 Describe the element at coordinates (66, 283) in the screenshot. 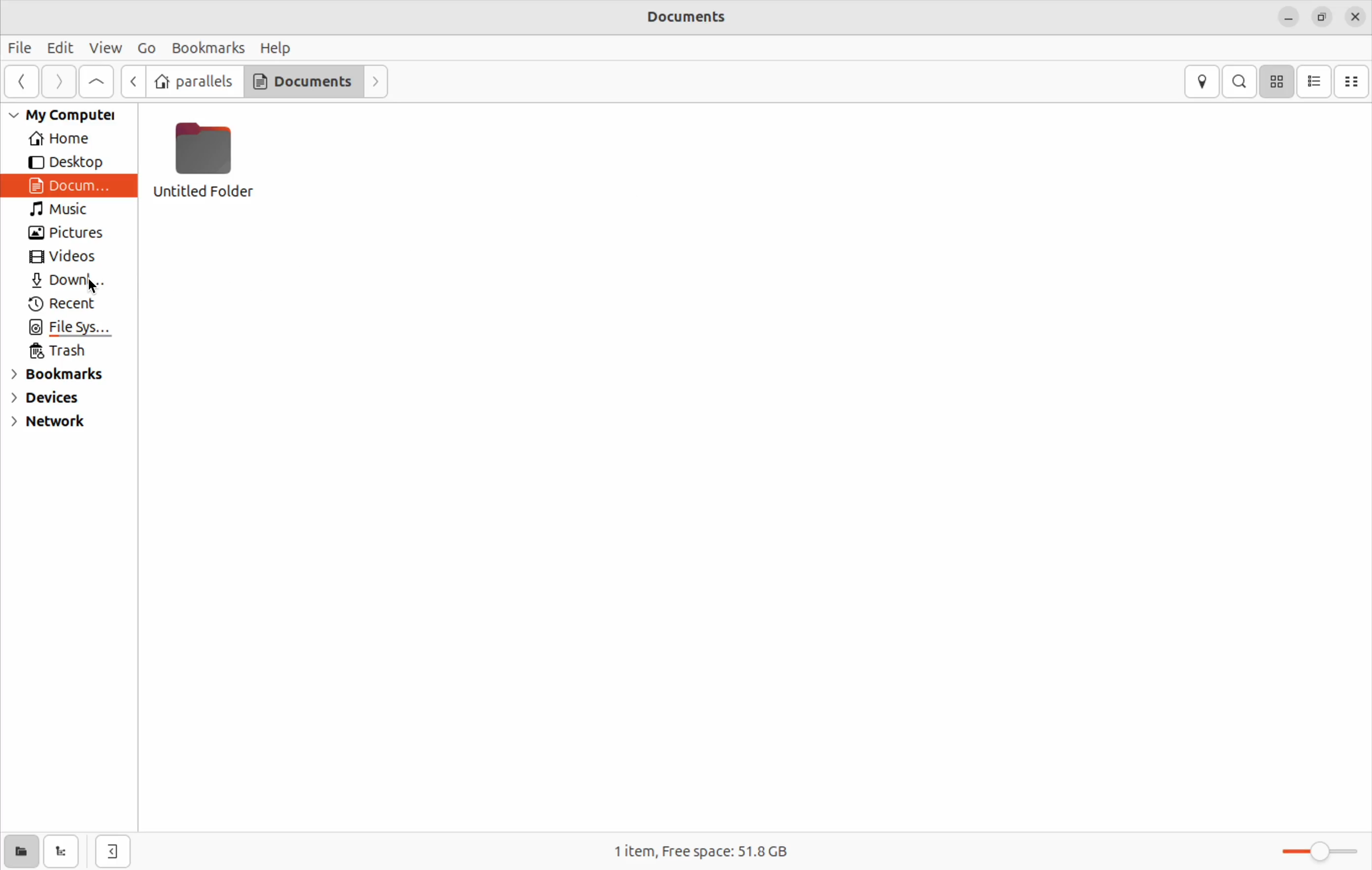

I see `Downloads` at that location.